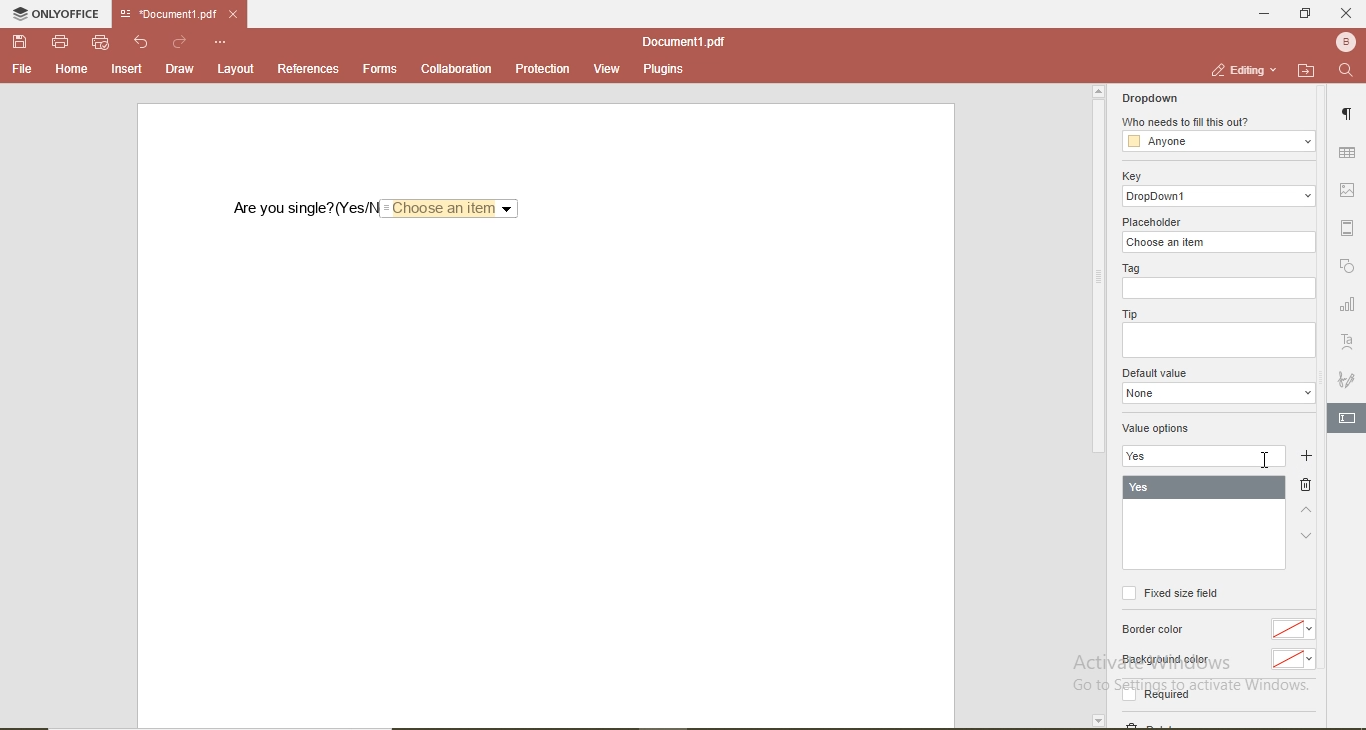  What do you see at coordinates (1216, 243) in the screenshot?
I see `choose an item` at bounding box center [1216, 243].